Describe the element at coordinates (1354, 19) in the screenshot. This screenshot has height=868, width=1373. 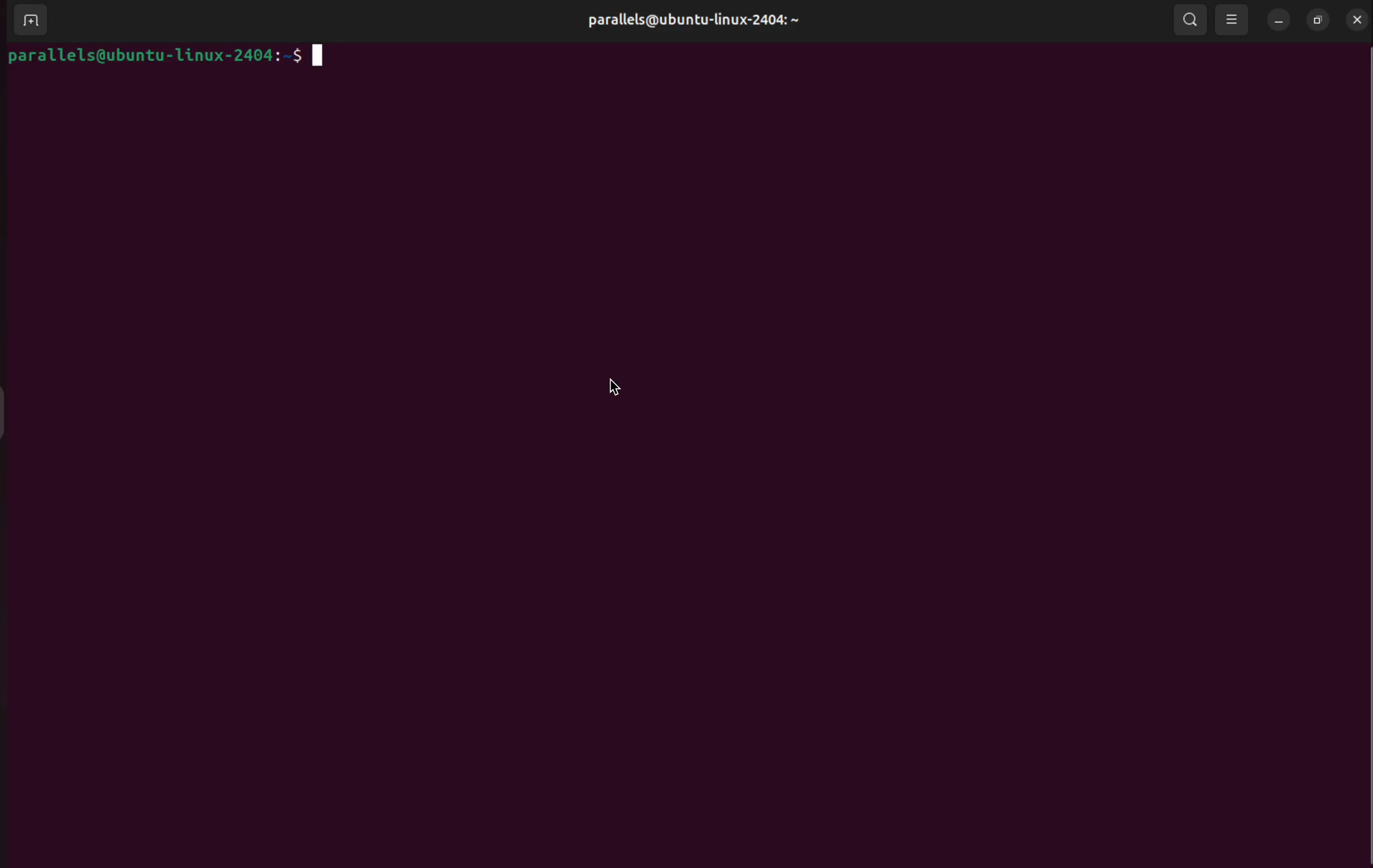
I see `close` at that location.